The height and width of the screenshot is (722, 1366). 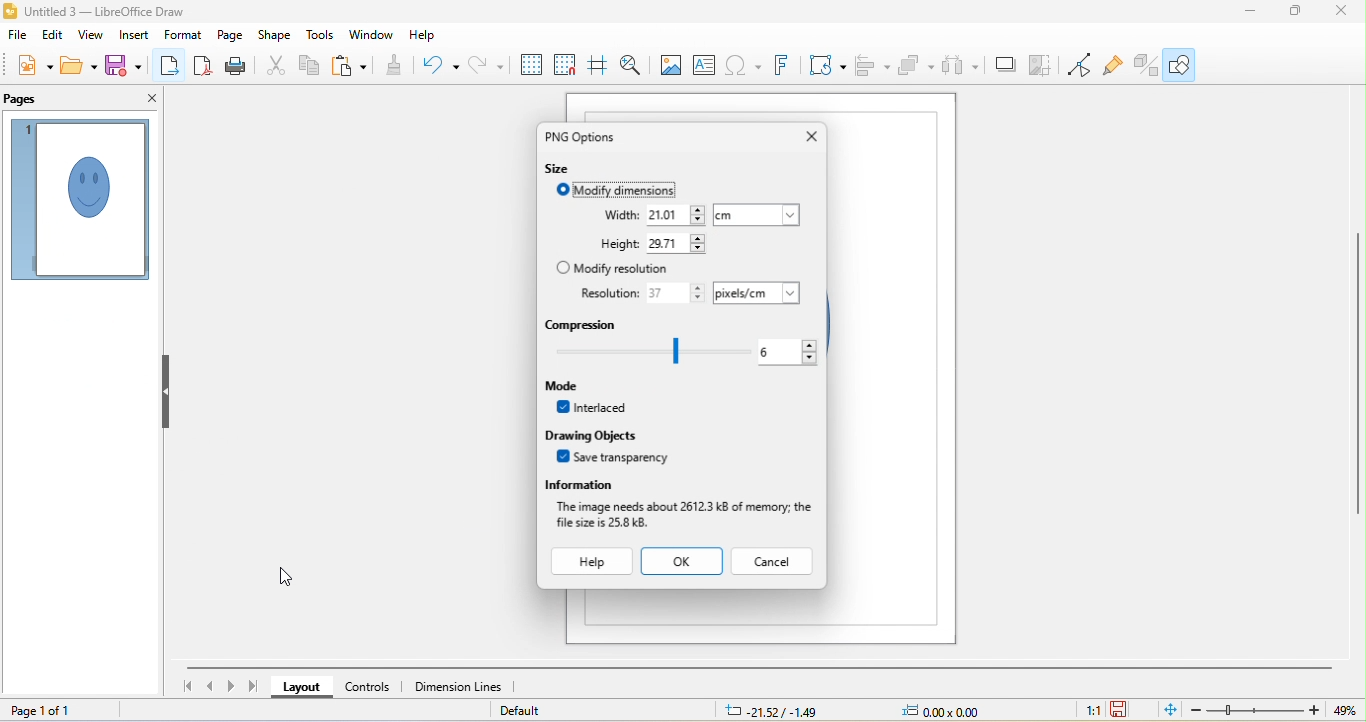 What do you see at coordinates (1341, 15) in the screenshot?
I see `close` at bounding box center [1341, 15].